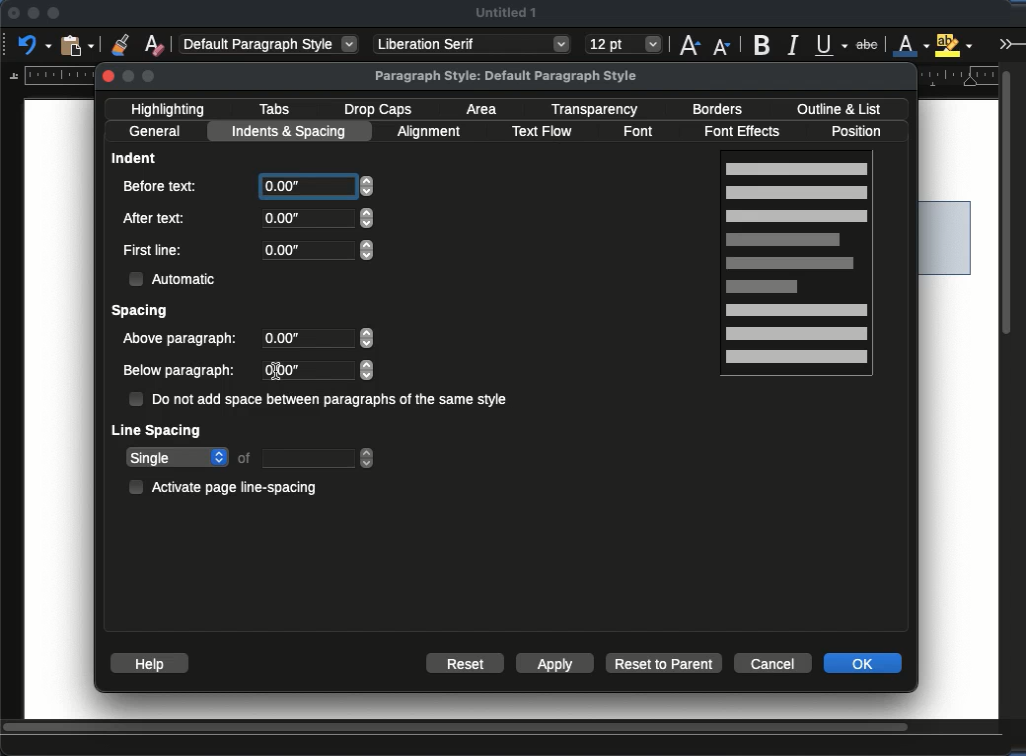 The height and width of the screenshot is (756, 1026). Describe the element at coordinates (171, 109) in the screenshot. I see `highlighting` at that location.